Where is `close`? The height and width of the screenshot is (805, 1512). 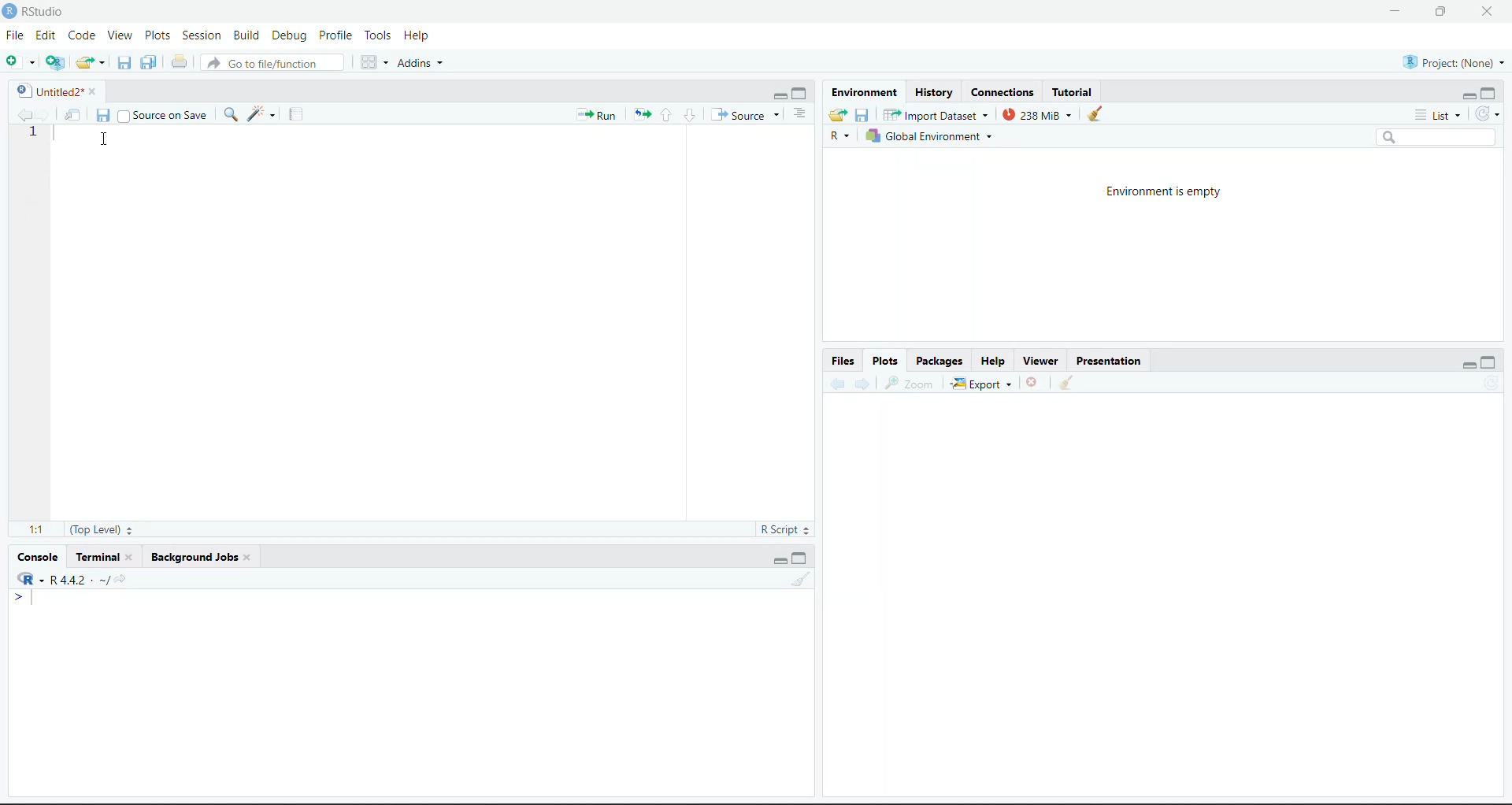 close is located at coordinates (98, 91).